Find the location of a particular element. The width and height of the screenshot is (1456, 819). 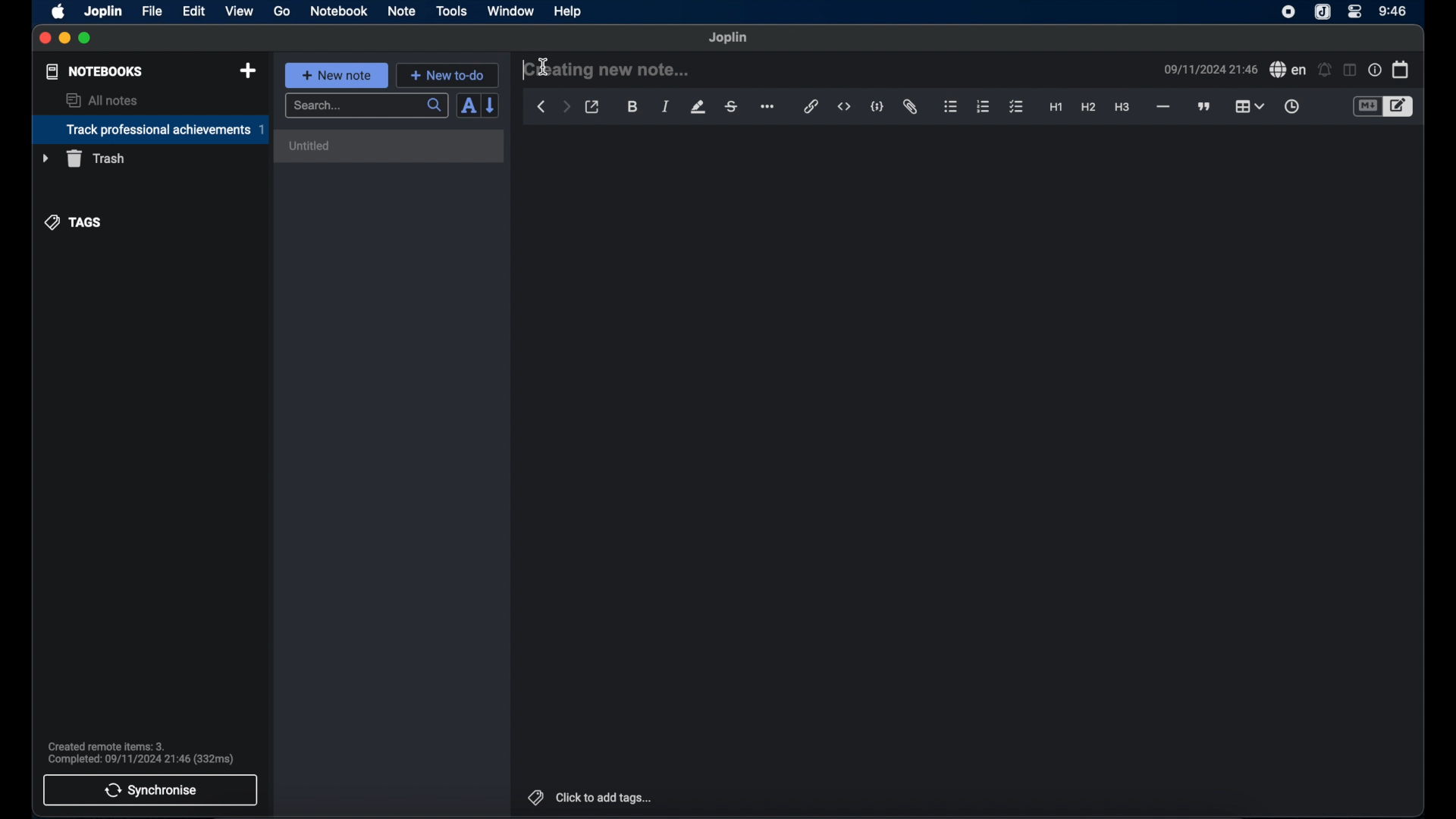

attach file is located at coordinates (912, 108).